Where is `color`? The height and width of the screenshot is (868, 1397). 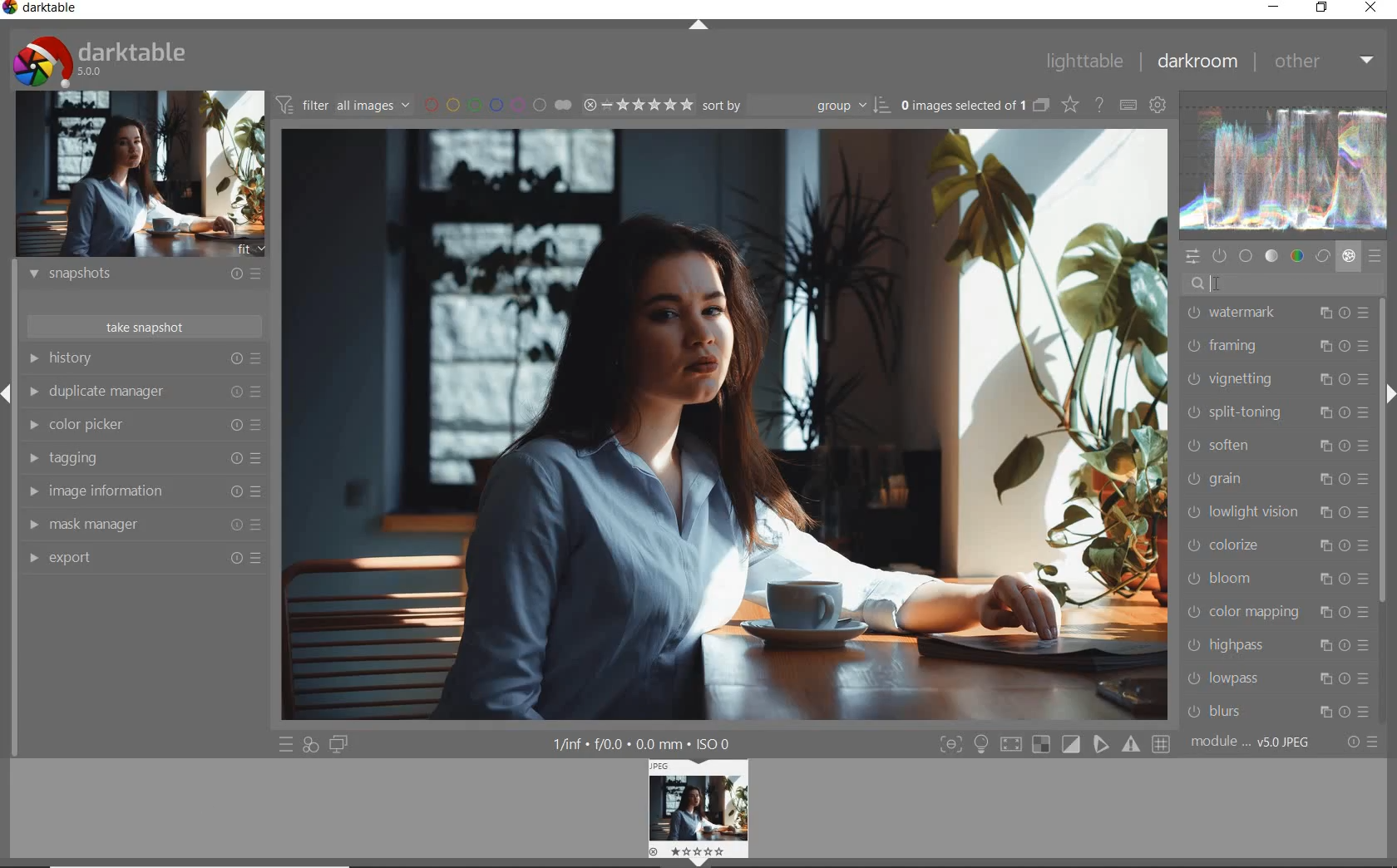
color is located at coordinates (1298, 256).